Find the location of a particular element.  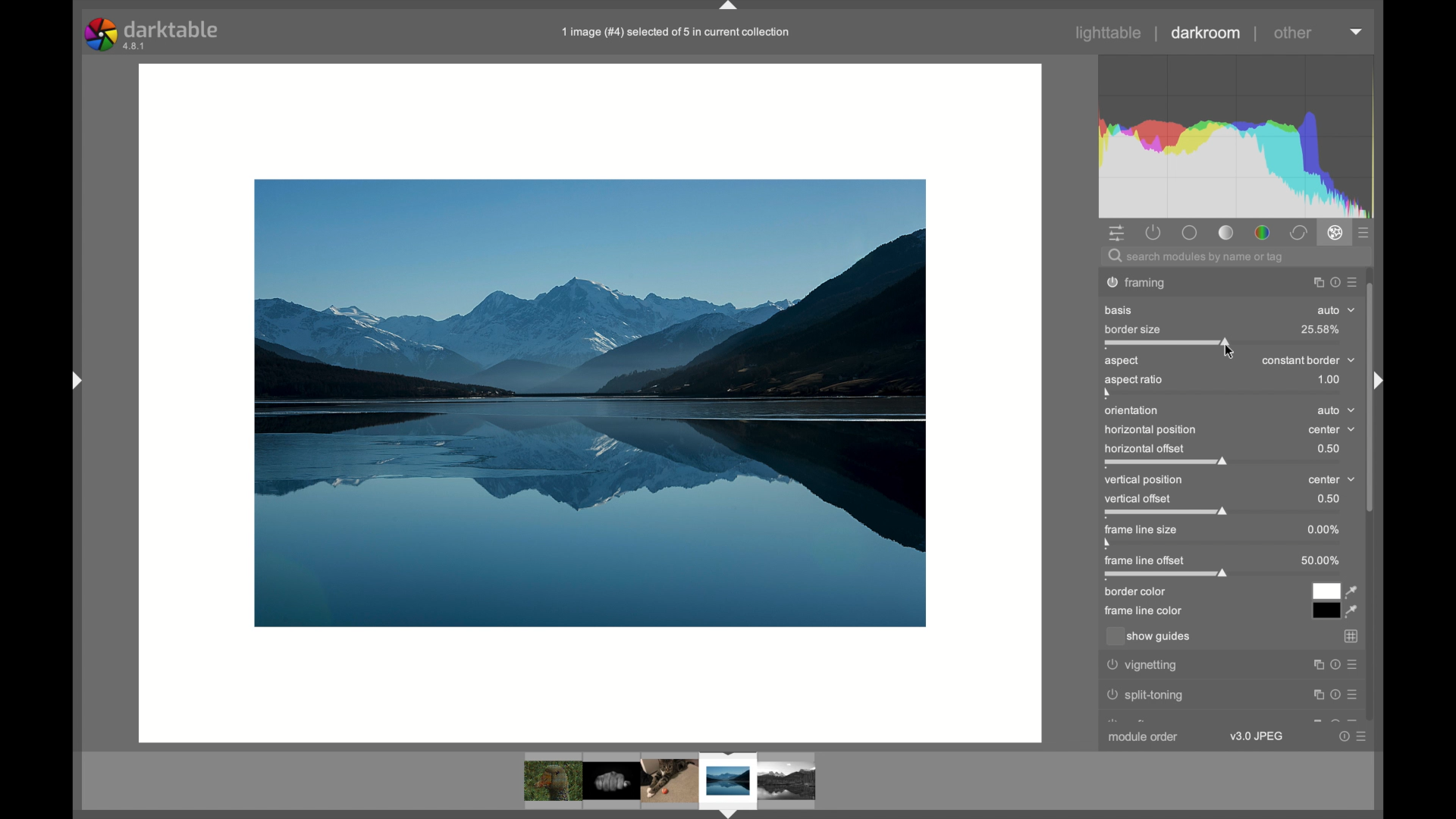

info is located at coordinates (678, 33).